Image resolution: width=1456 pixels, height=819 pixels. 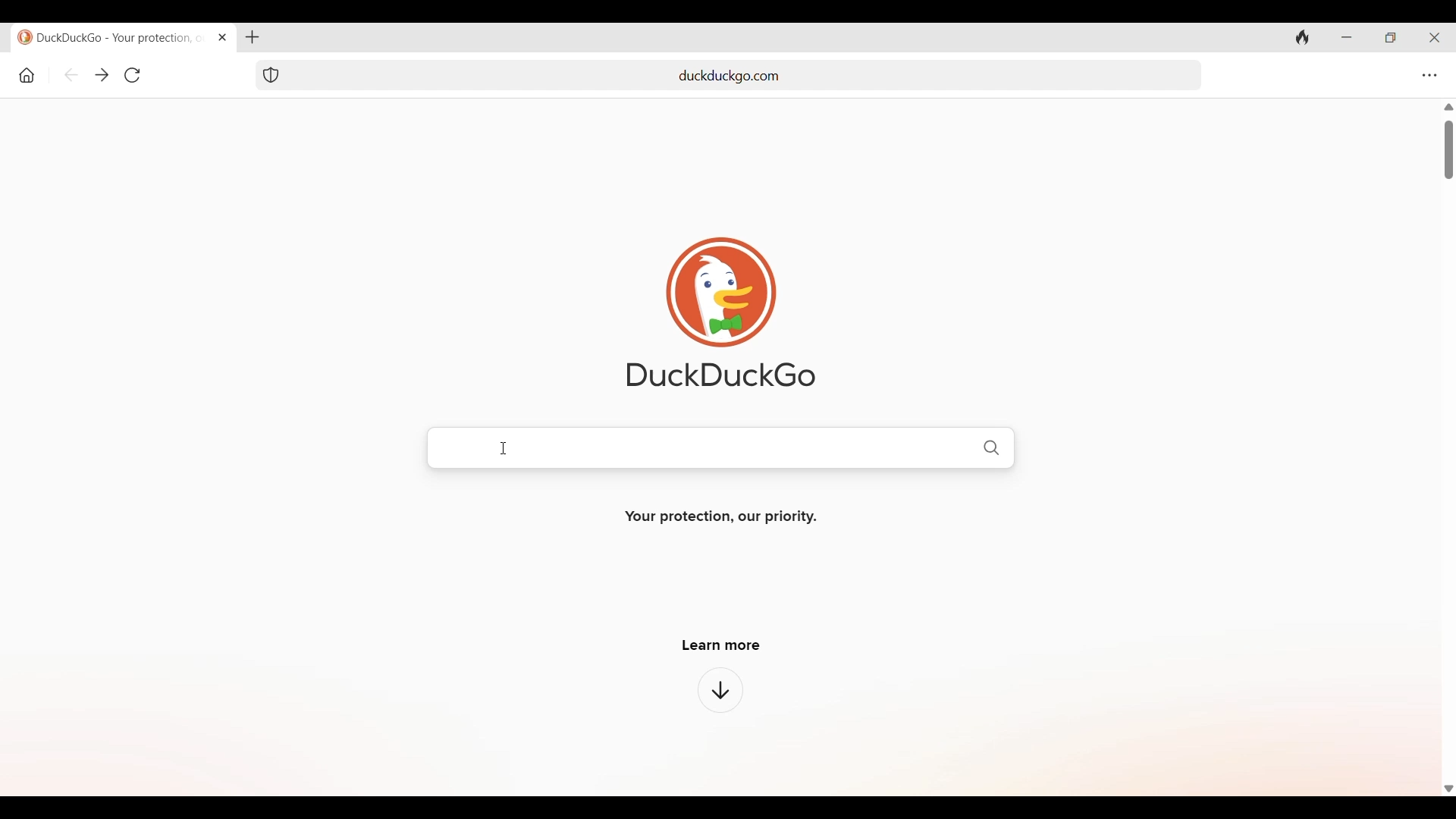 I want to click on Quick slide to bottom, so click(x=1449, y=789).